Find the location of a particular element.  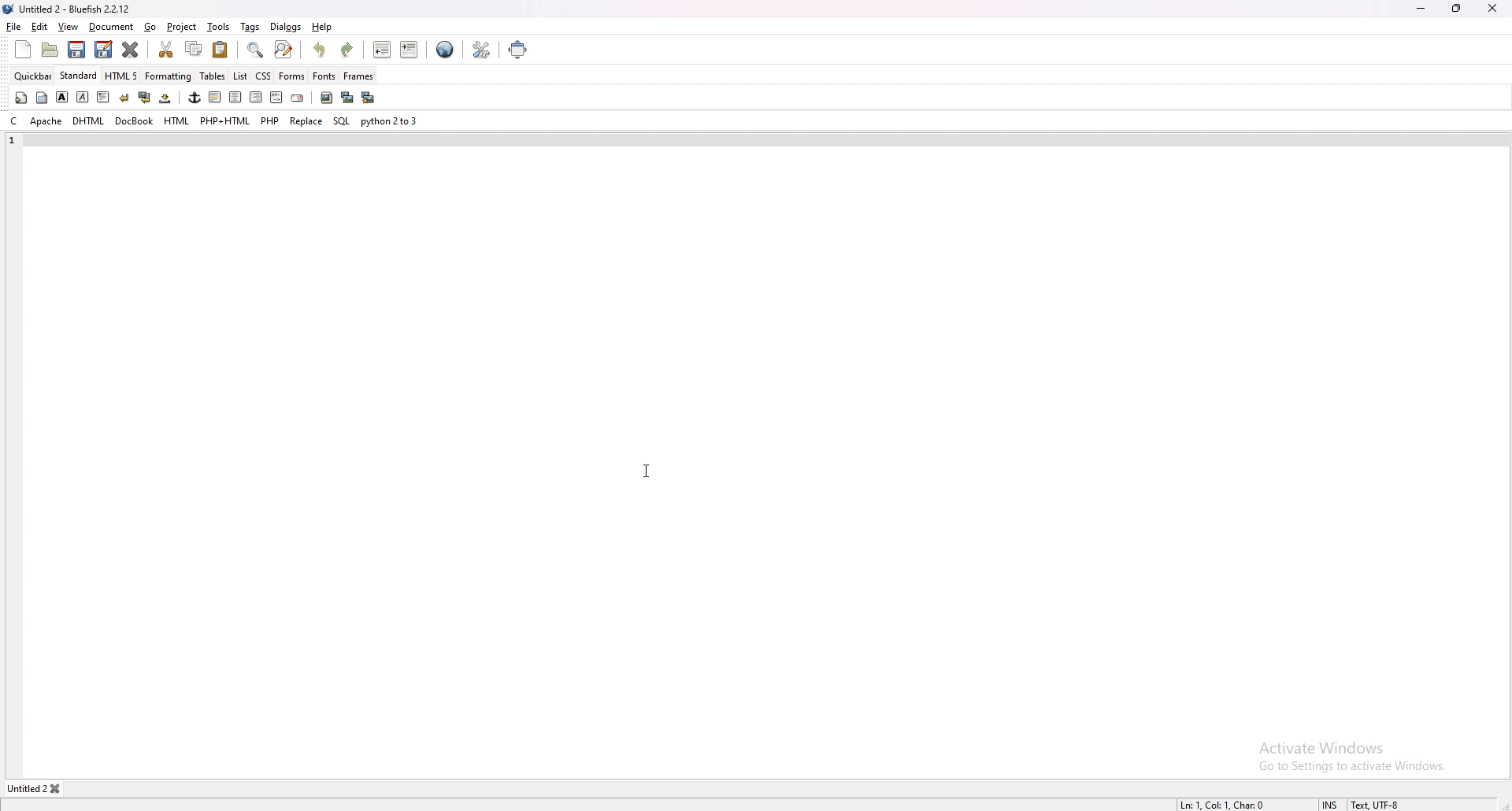

forms is located at coordinates (292, 76).